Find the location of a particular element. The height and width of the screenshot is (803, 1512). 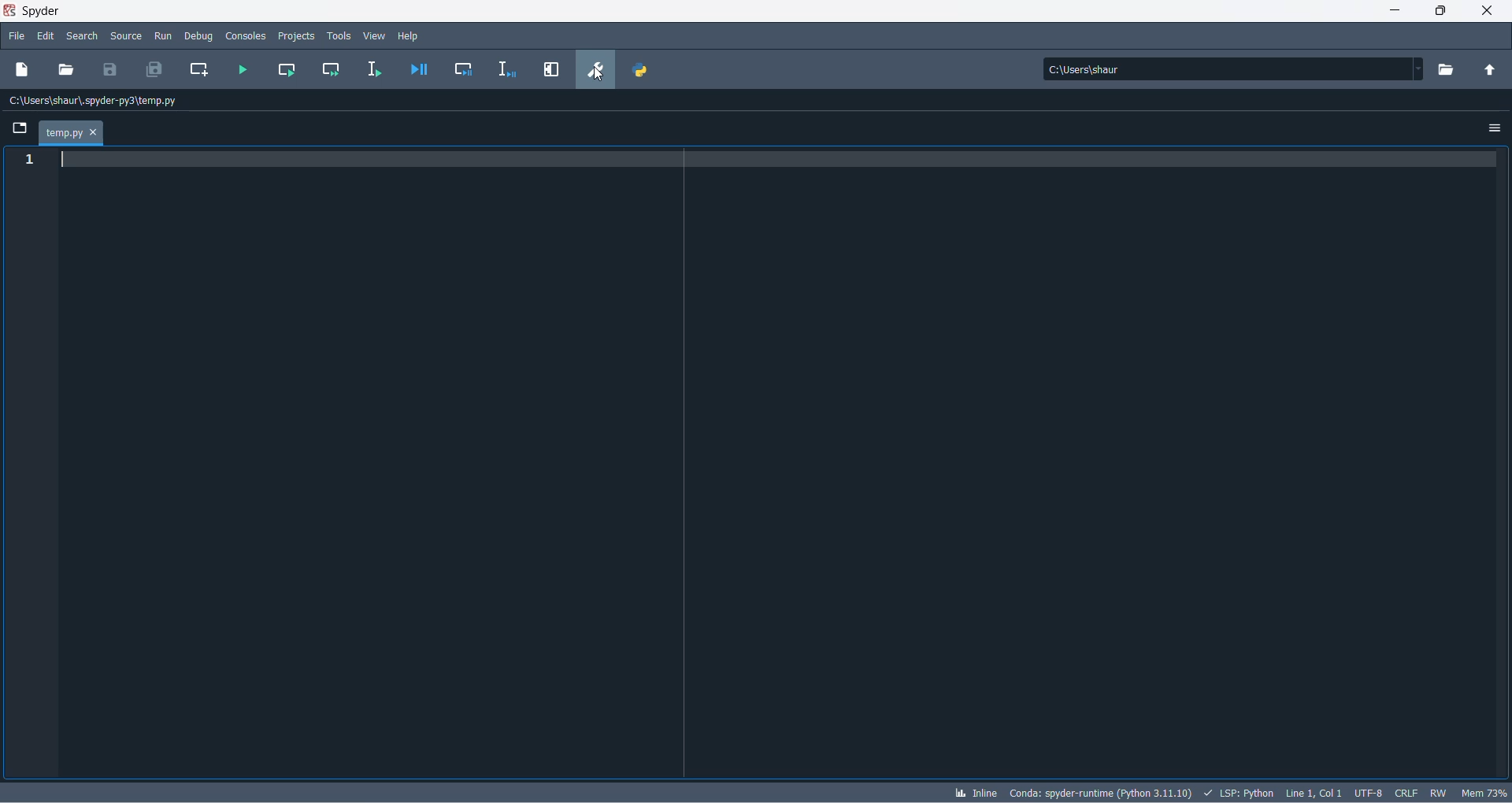

maximize is located at coordinates (1440, 12).